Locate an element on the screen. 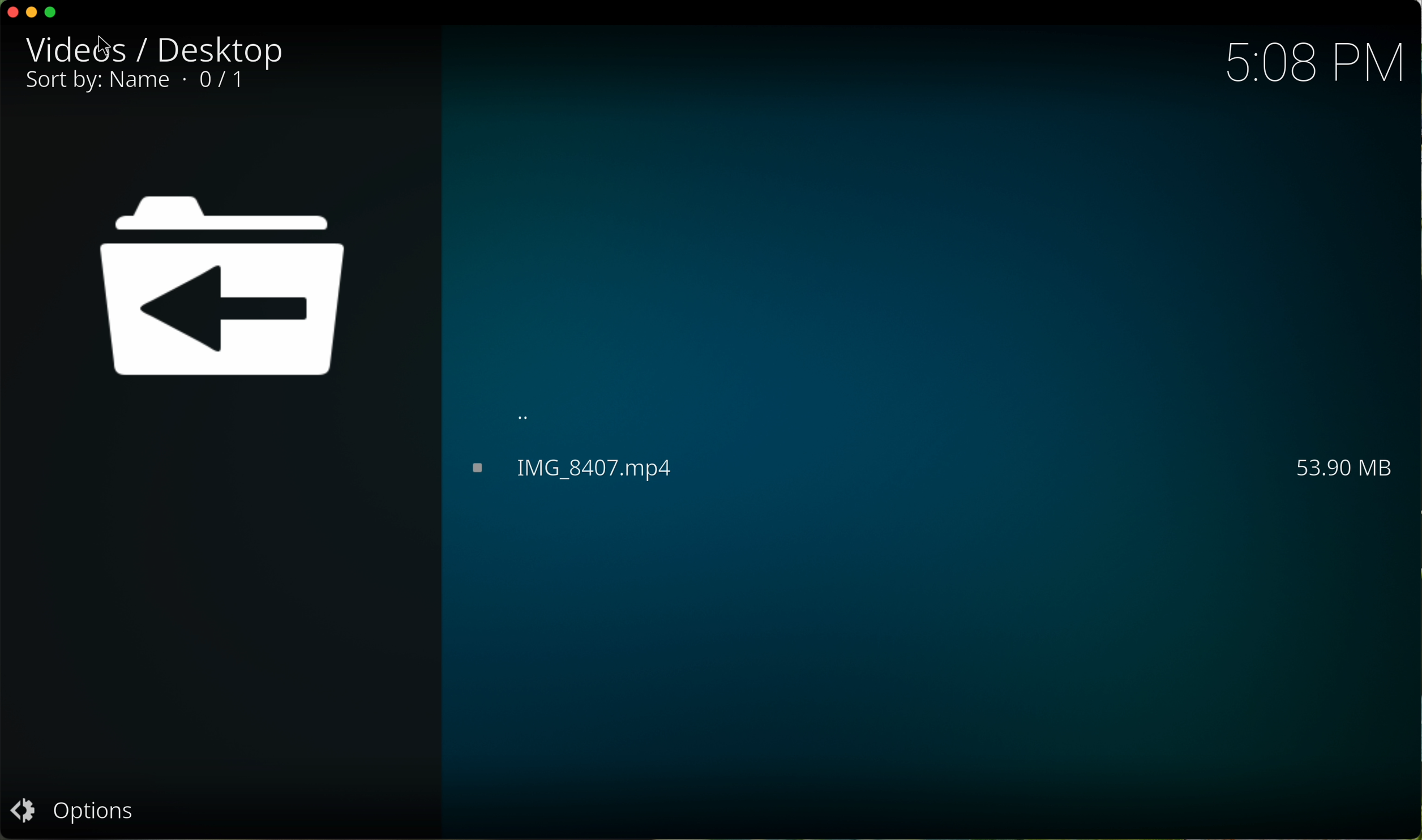 This screenshot has height=840, width=1422. minimize is located at coordinates (35, 14).